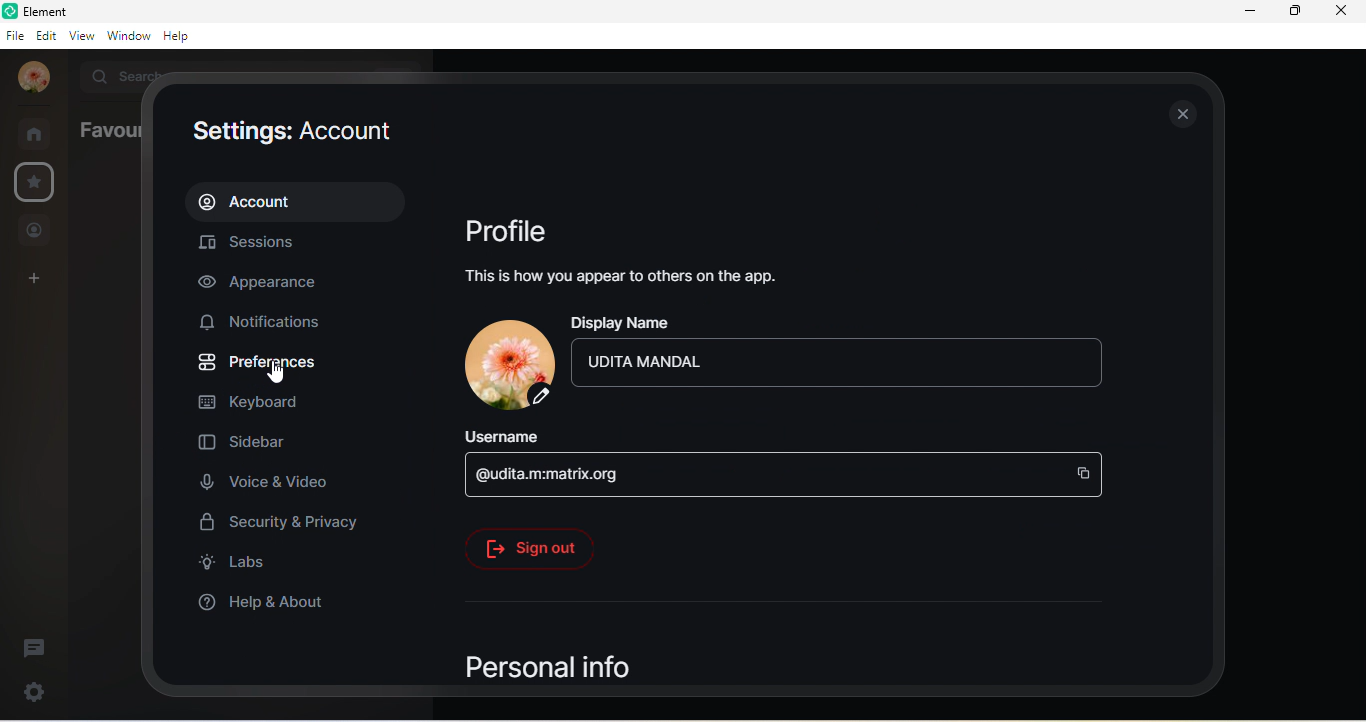 This screenshot has height=722, width=1366. Describe the element at coordinates (512, 438) in the screenshot. I see `username` at that location.